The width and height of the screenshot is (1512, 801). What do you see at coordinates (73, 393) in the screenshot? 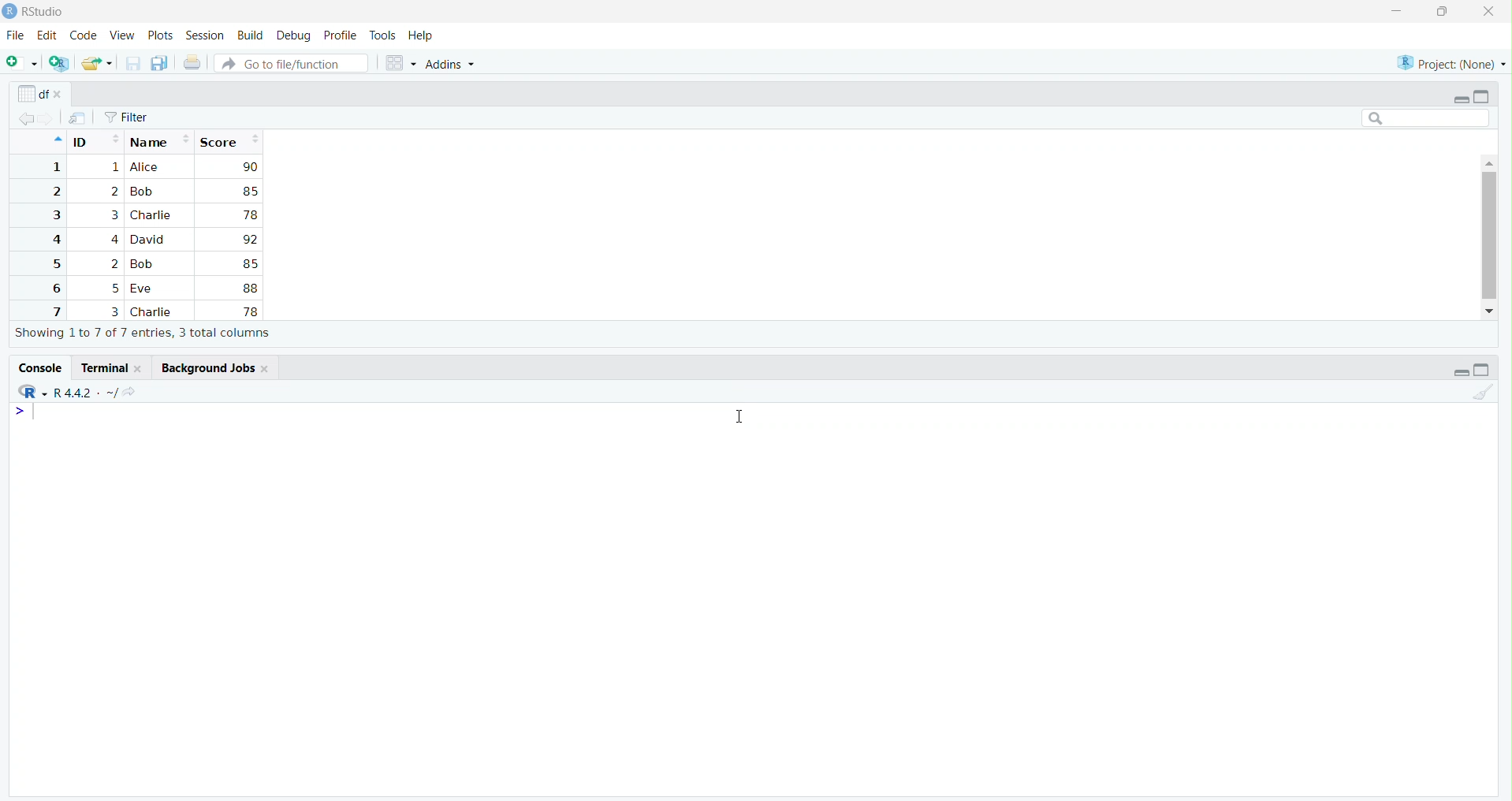
I see `R 4.4.2` at bounding box center [73, 393].